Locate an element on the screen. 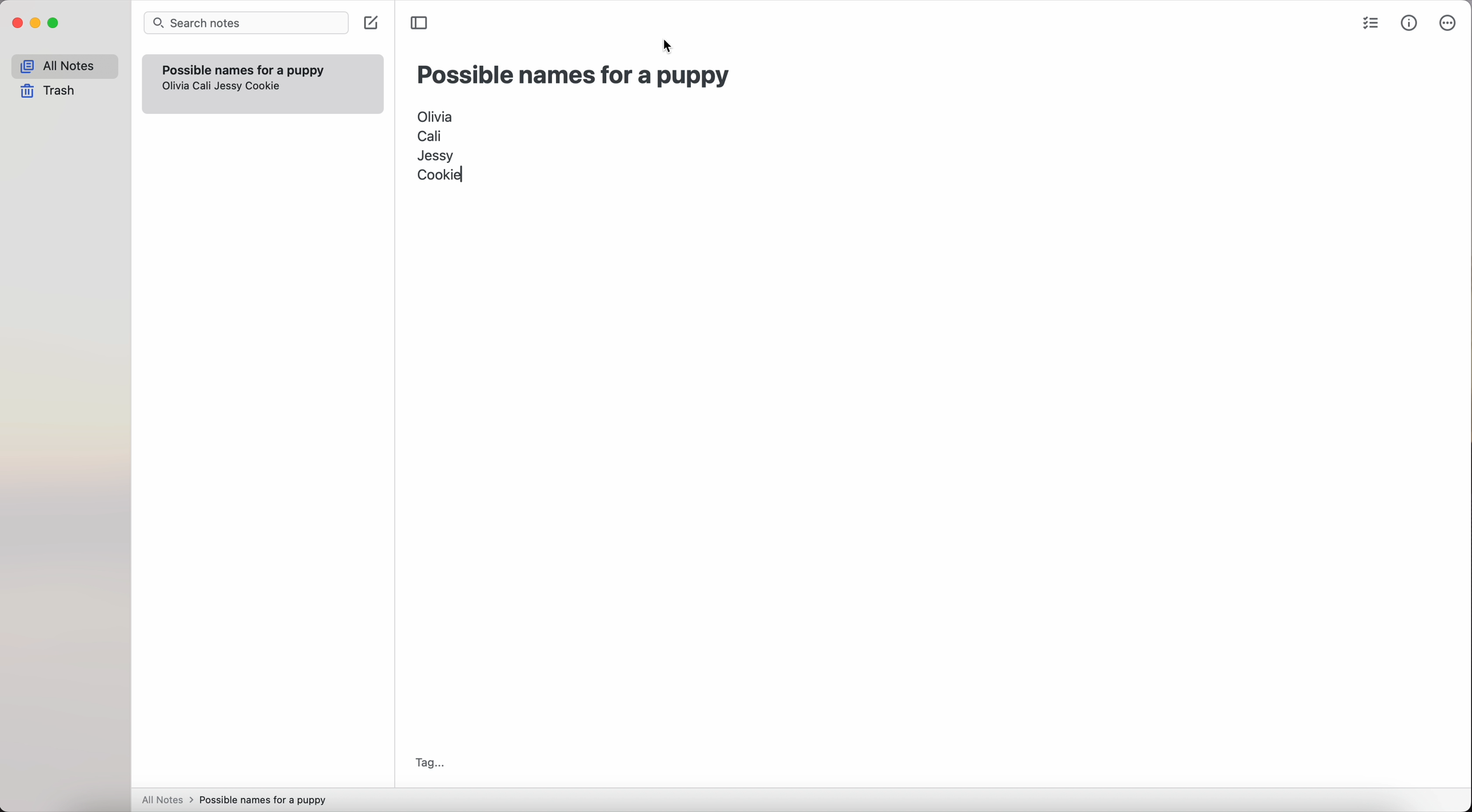 The height and width of the screenshot is (812, 1472). possible names for a puppy note is located at coordinates (243, 68).